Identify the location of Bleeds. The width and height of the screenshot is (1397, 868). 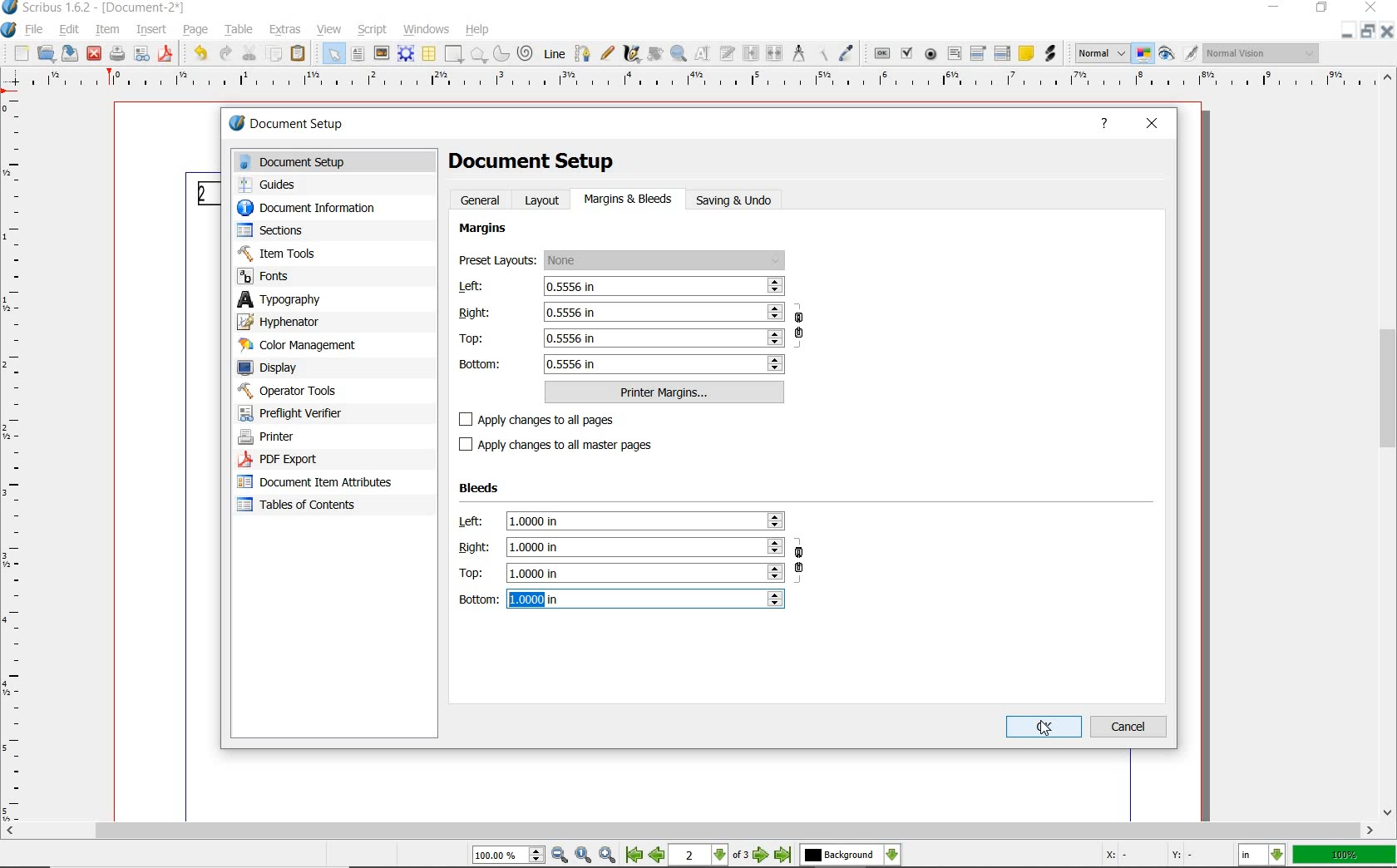
(482, 489).